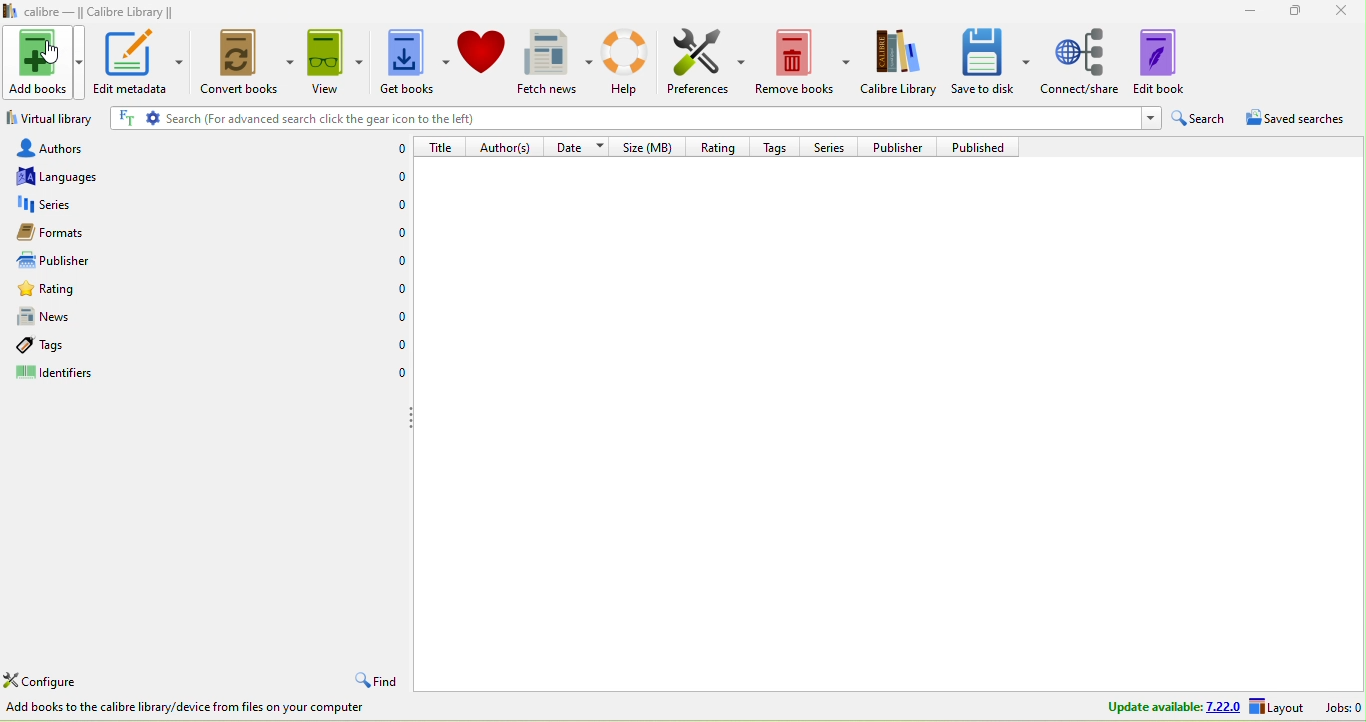 The width and height of the screenshot is (1366, 722). What do you see at coordinates (336, 62) in the screenshot?
I see `view` at bounding box center [336, 62].